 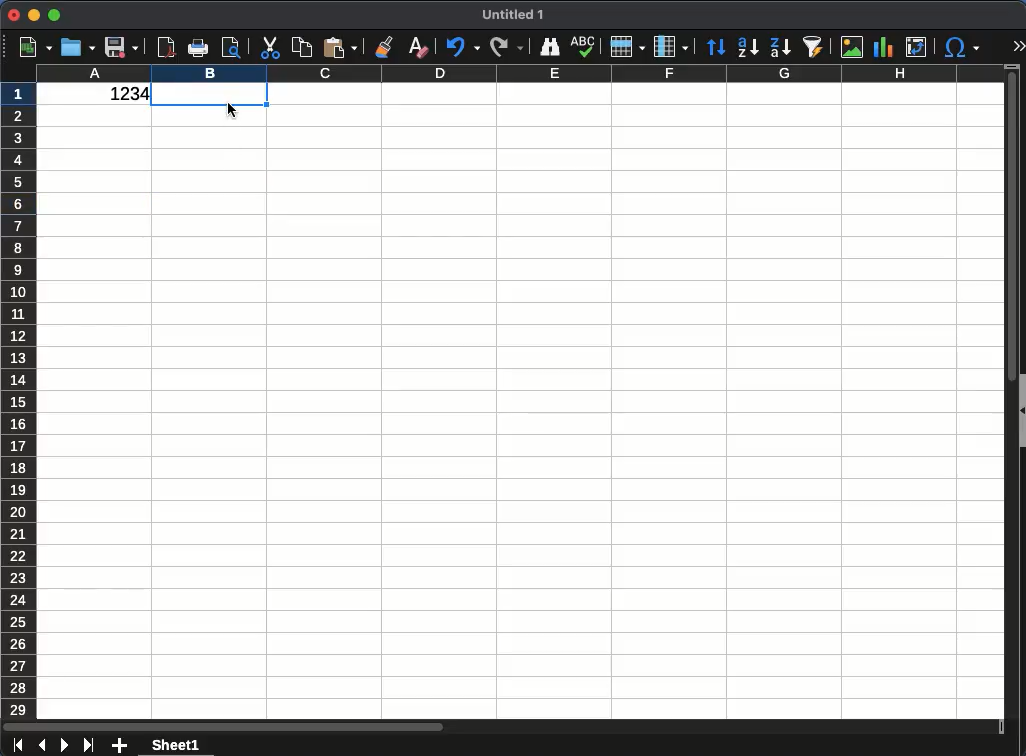 I want to click on add sheet, so click(x=121, y=747).